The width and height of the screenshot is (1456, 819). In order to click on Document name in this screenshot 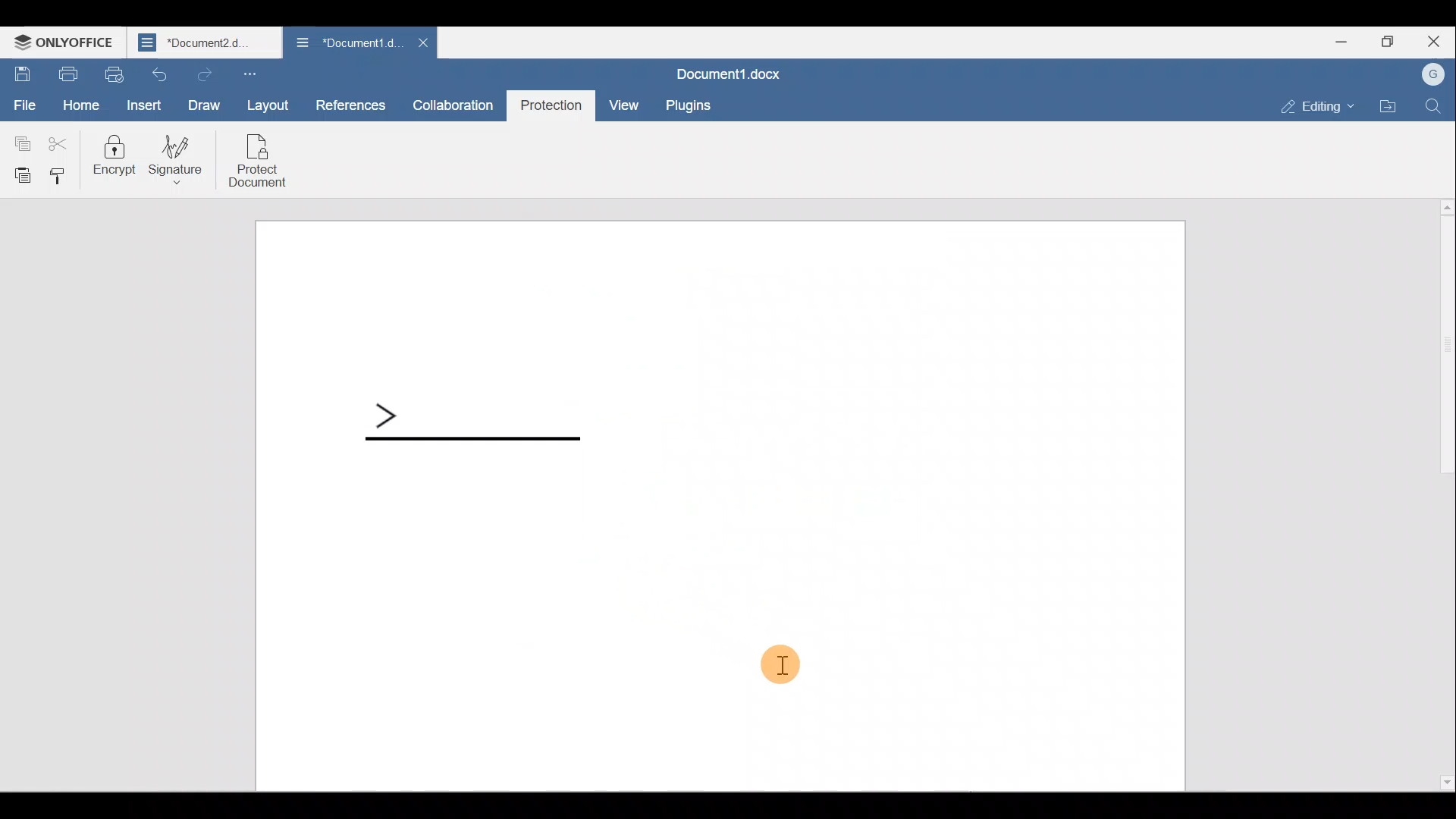, I will do `click(727, 72)`.